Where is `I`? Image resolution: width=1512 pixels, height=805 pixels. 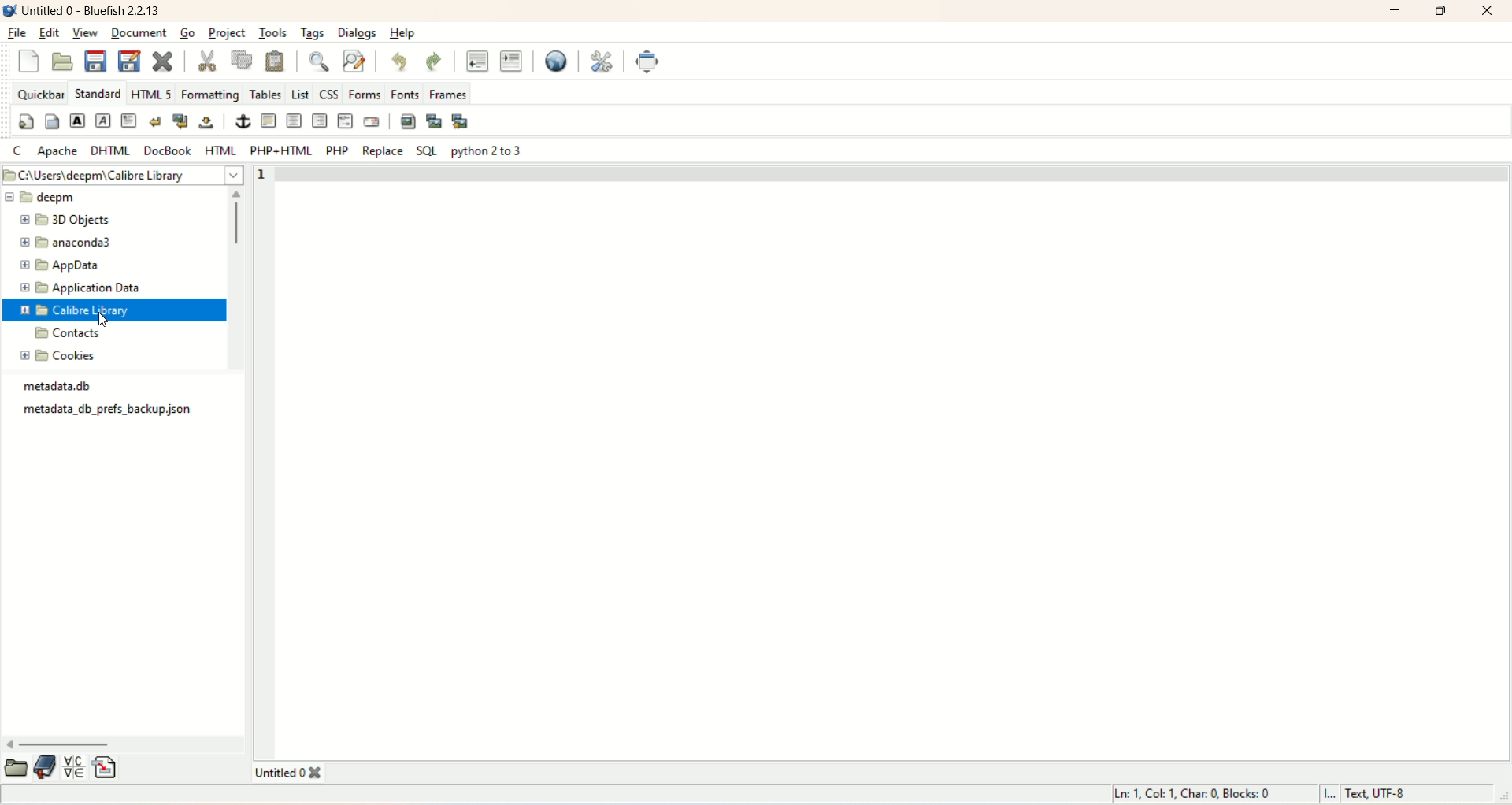
I is located at coordinates (1334, 796).